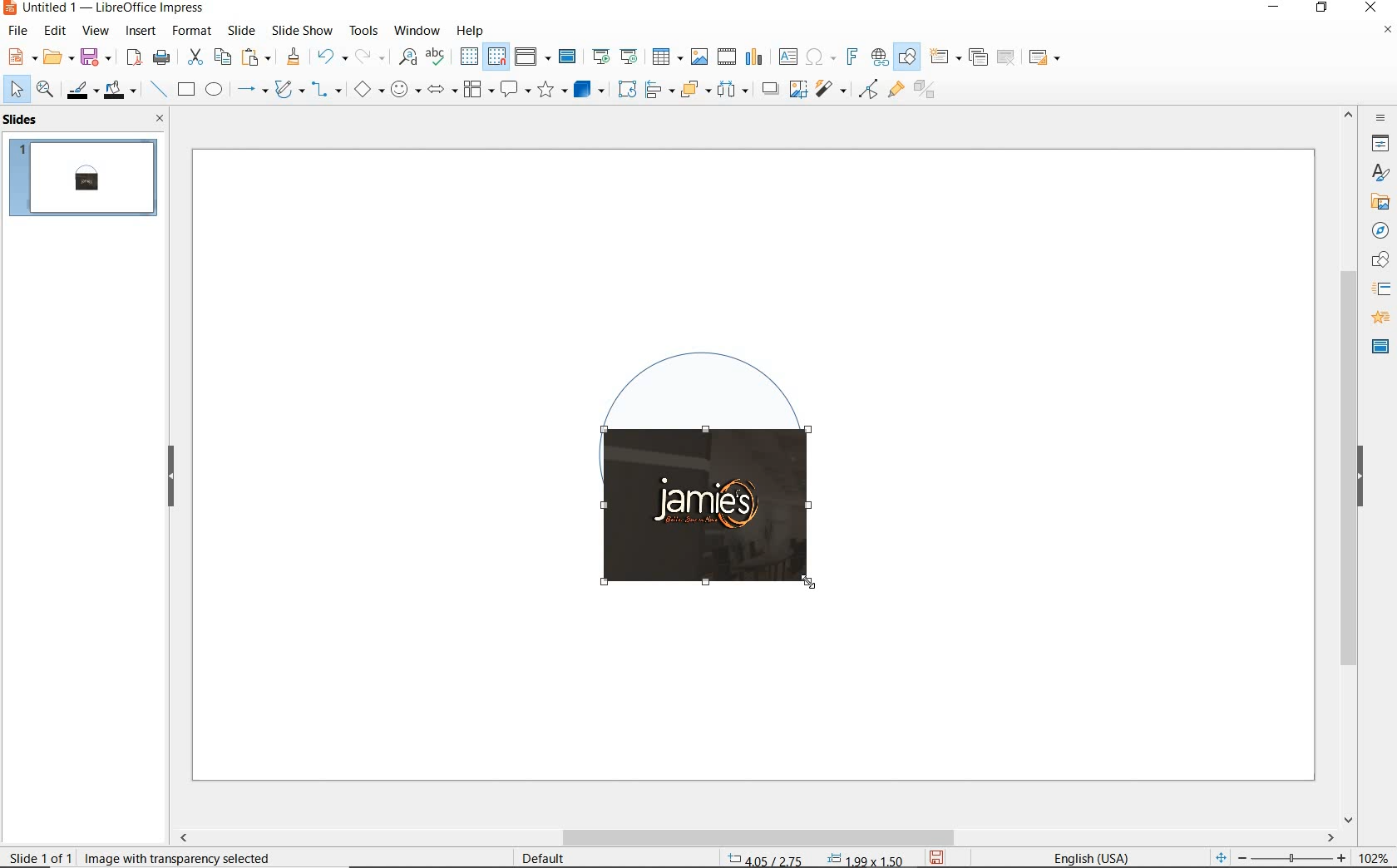 The image size is (1397, 868). What do you see at coordinates (938, 856) in the screenshot?
I see `save` at bounding box center [938, 856].